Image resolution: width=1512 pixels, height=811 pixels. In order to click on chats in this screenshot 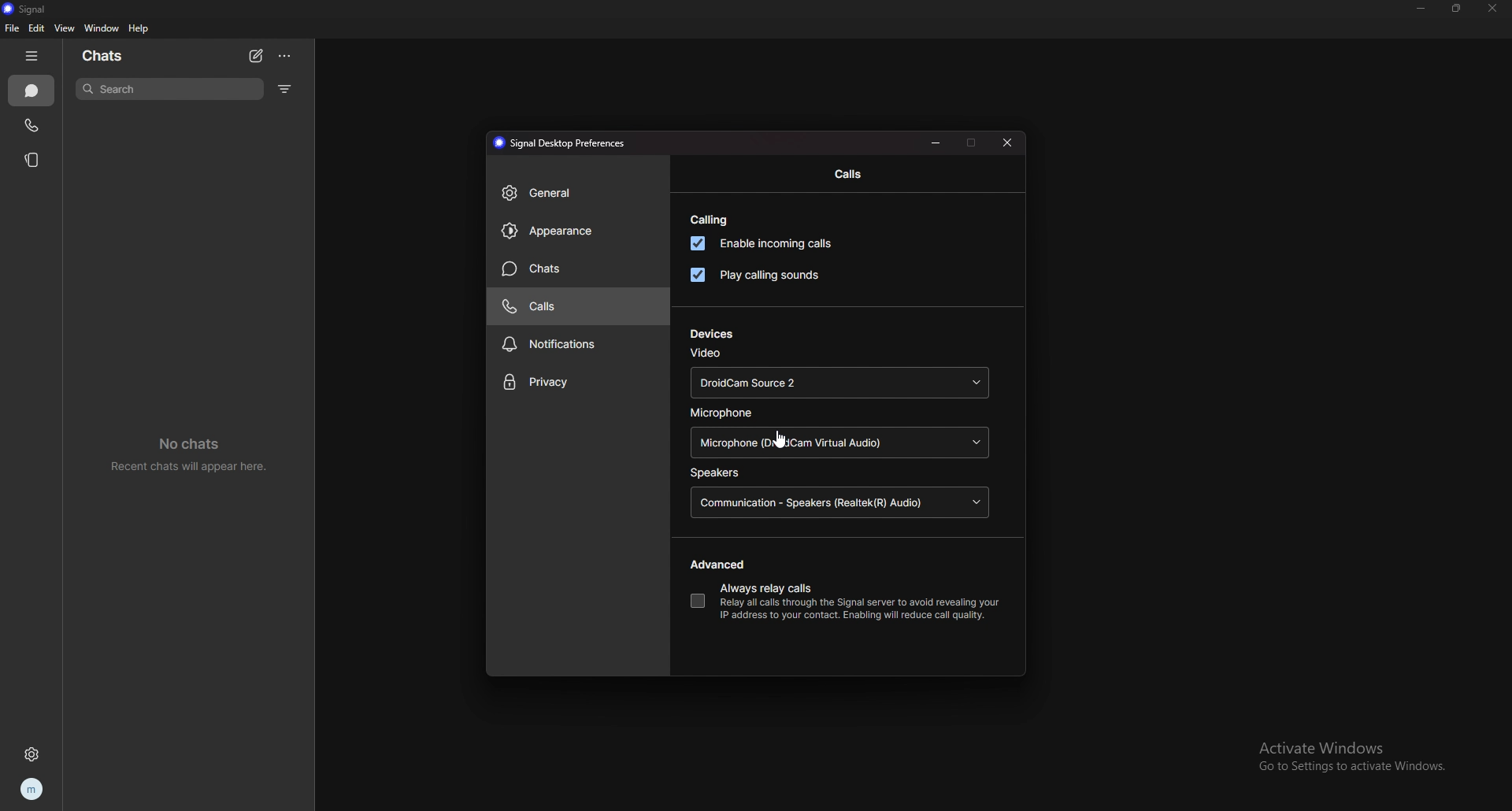, I will do `click(32, 91)`.